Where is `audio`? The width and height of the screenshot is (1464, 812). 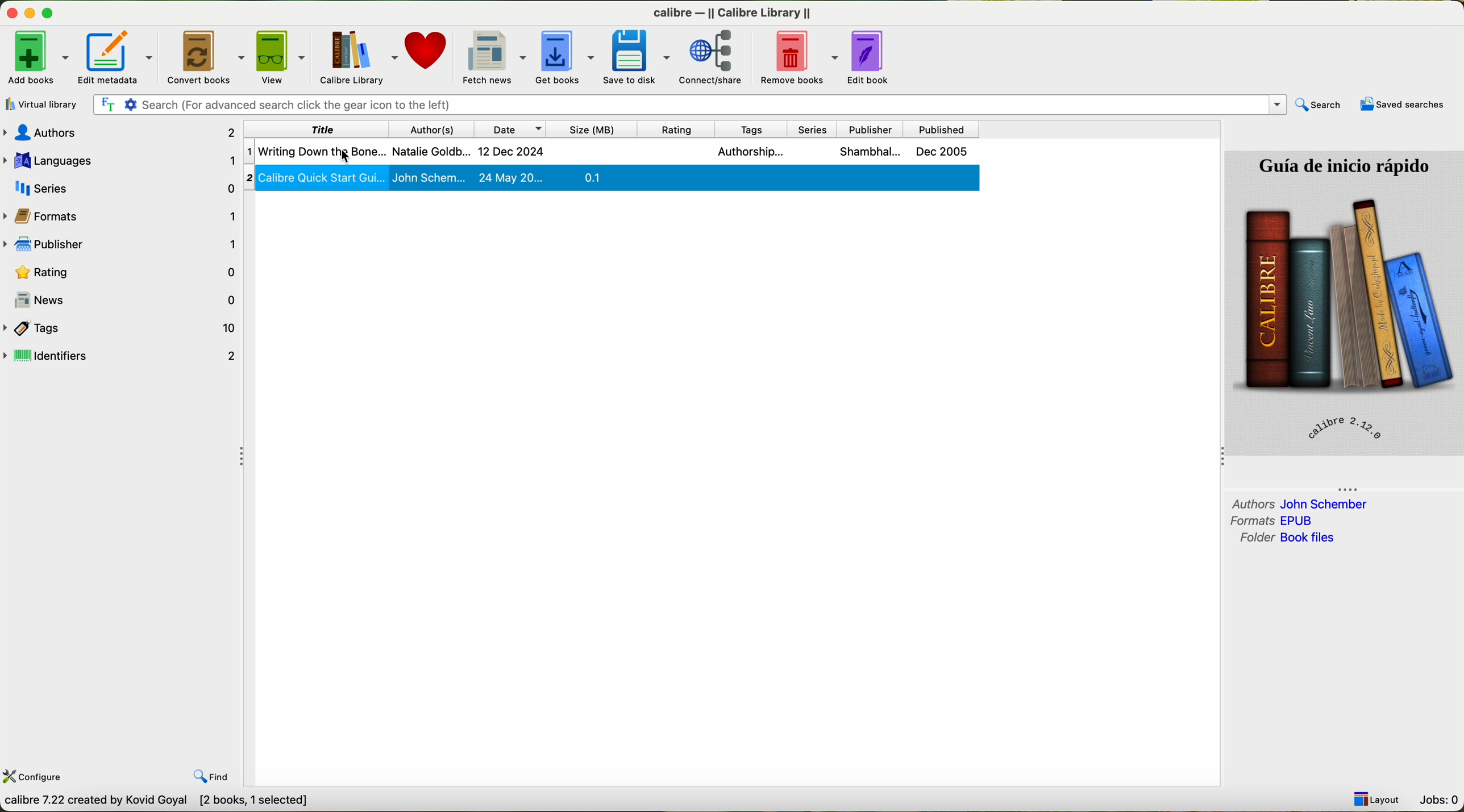 audio is located at coordinates (129, 134).